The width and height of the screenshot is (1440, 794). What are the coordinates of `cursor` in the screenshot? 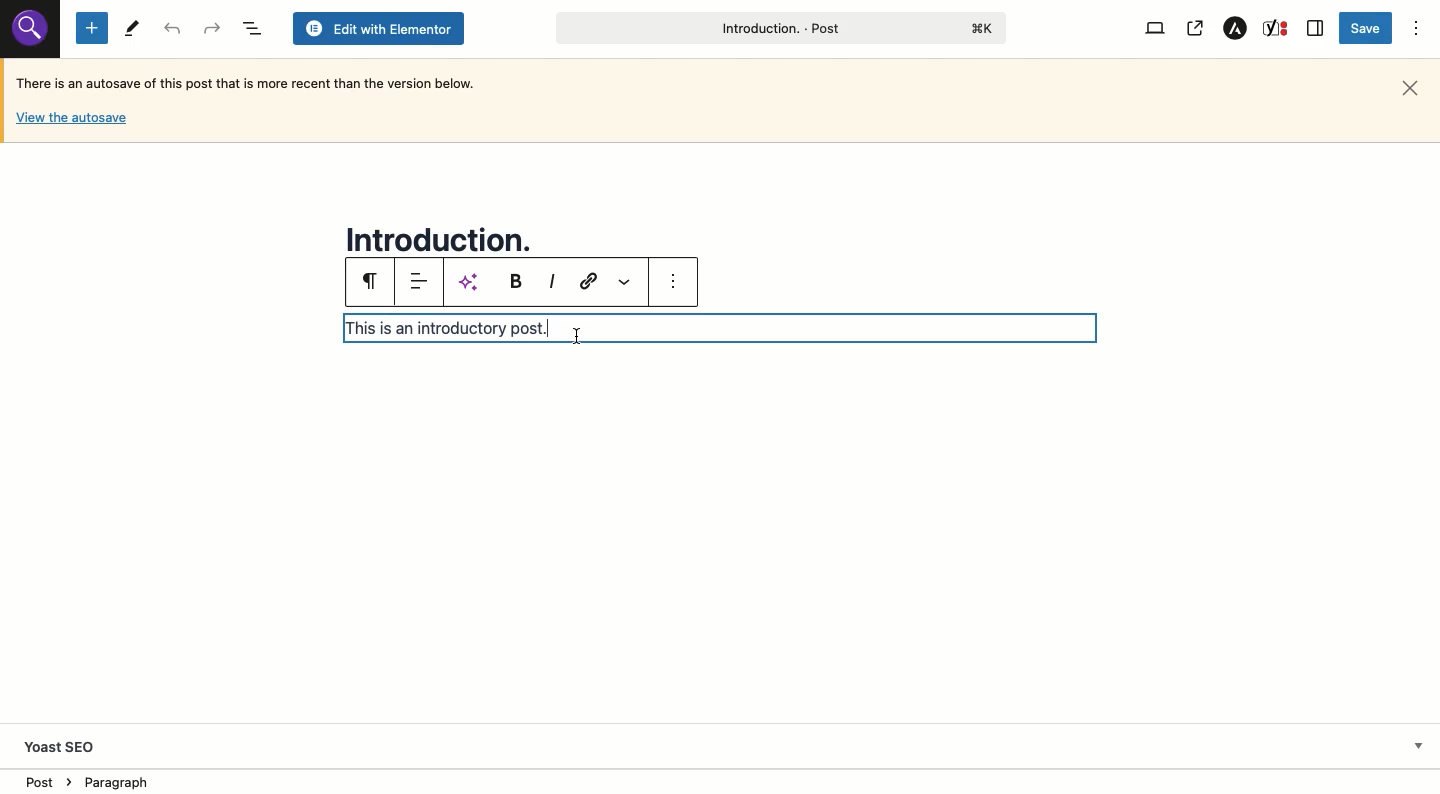 It's located at (577, 336).